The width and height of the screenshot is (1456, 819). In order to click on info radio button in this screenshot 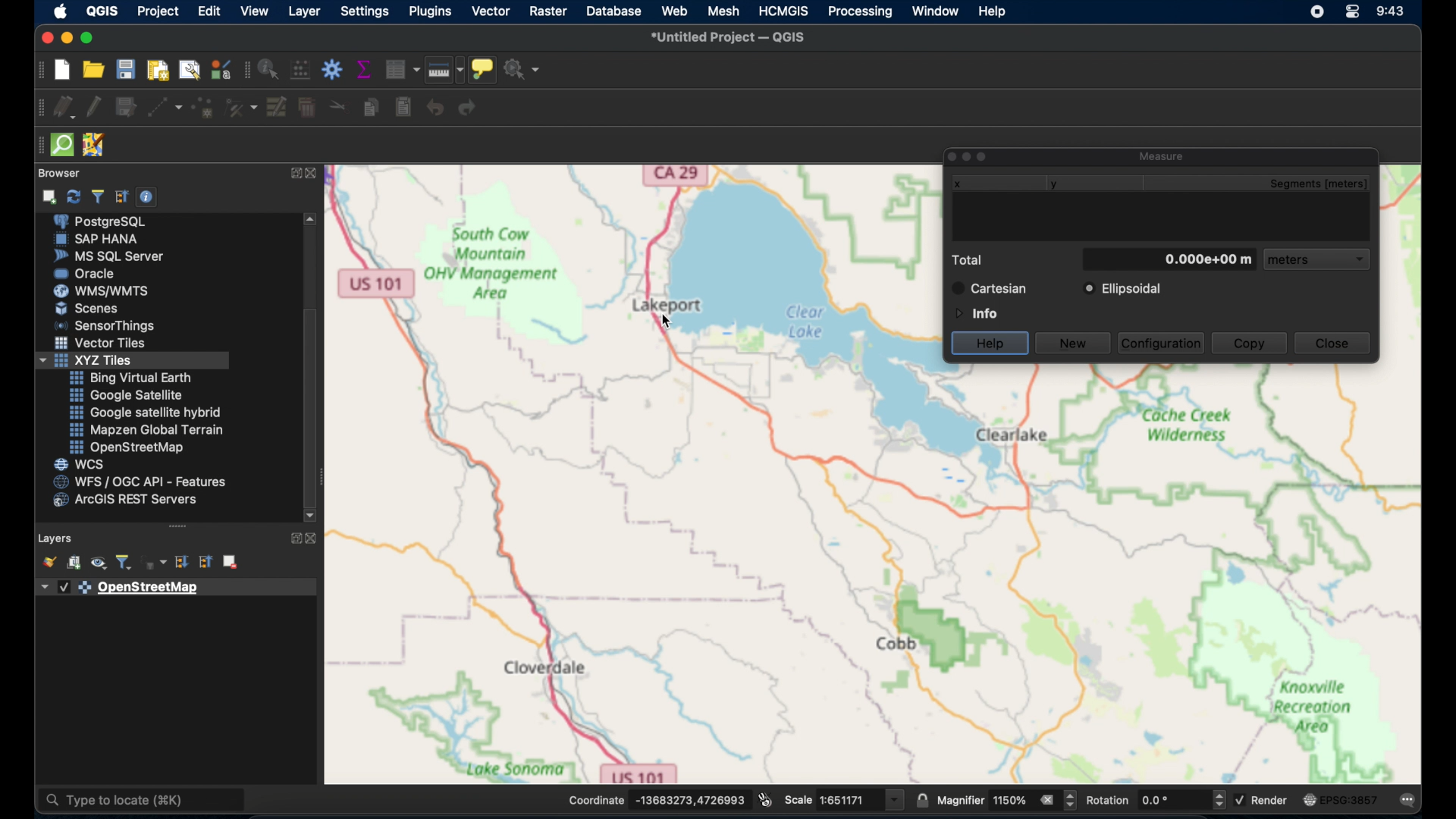, I will do `click(974, 312)`.